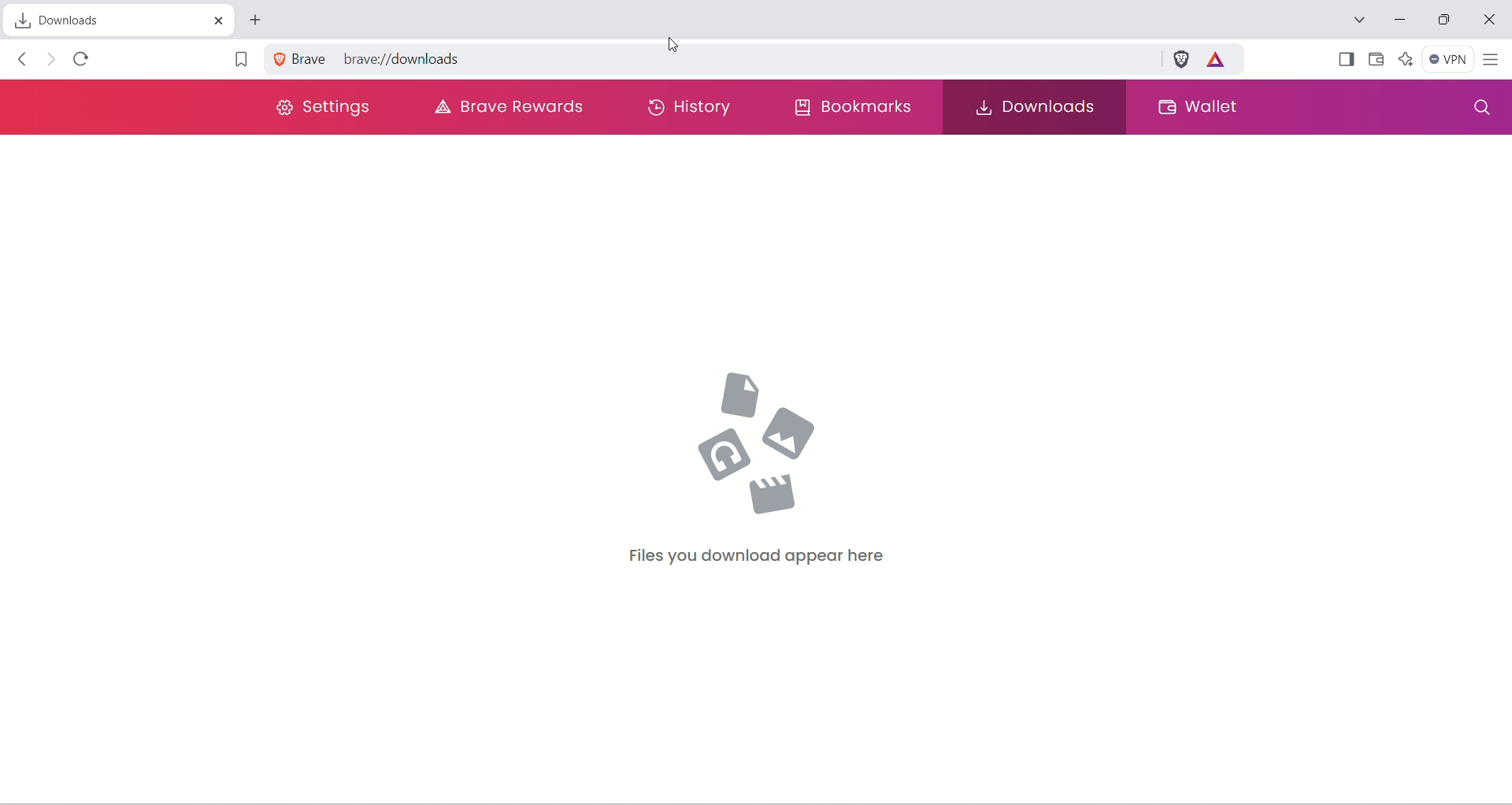 Image resolution: width=1512 pixels, height=805 pixels. Describe the element at coordinates (1402, 20) in the screenshot. I see `minimize` at that location.